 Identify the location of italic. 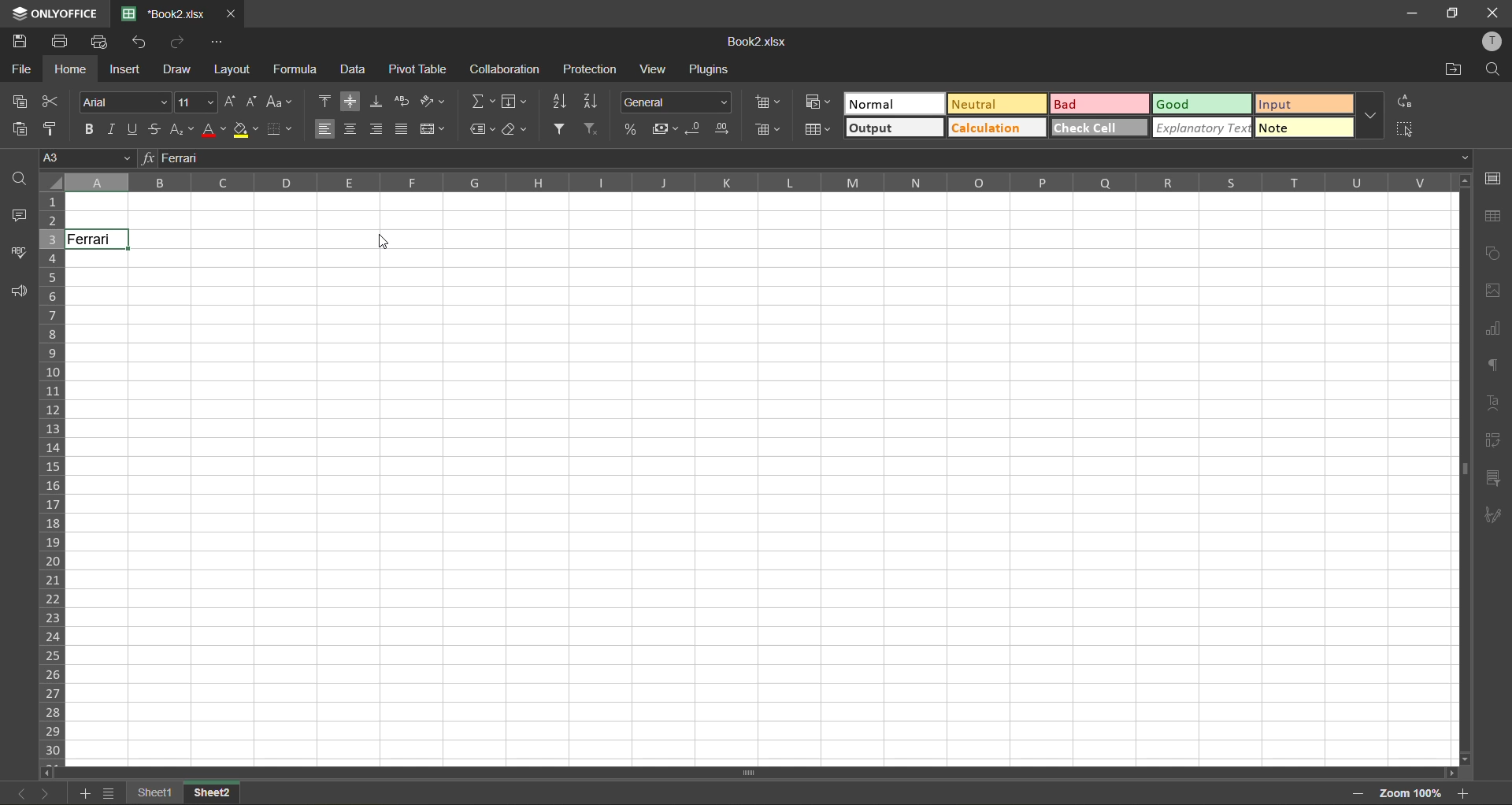
(113, 130).